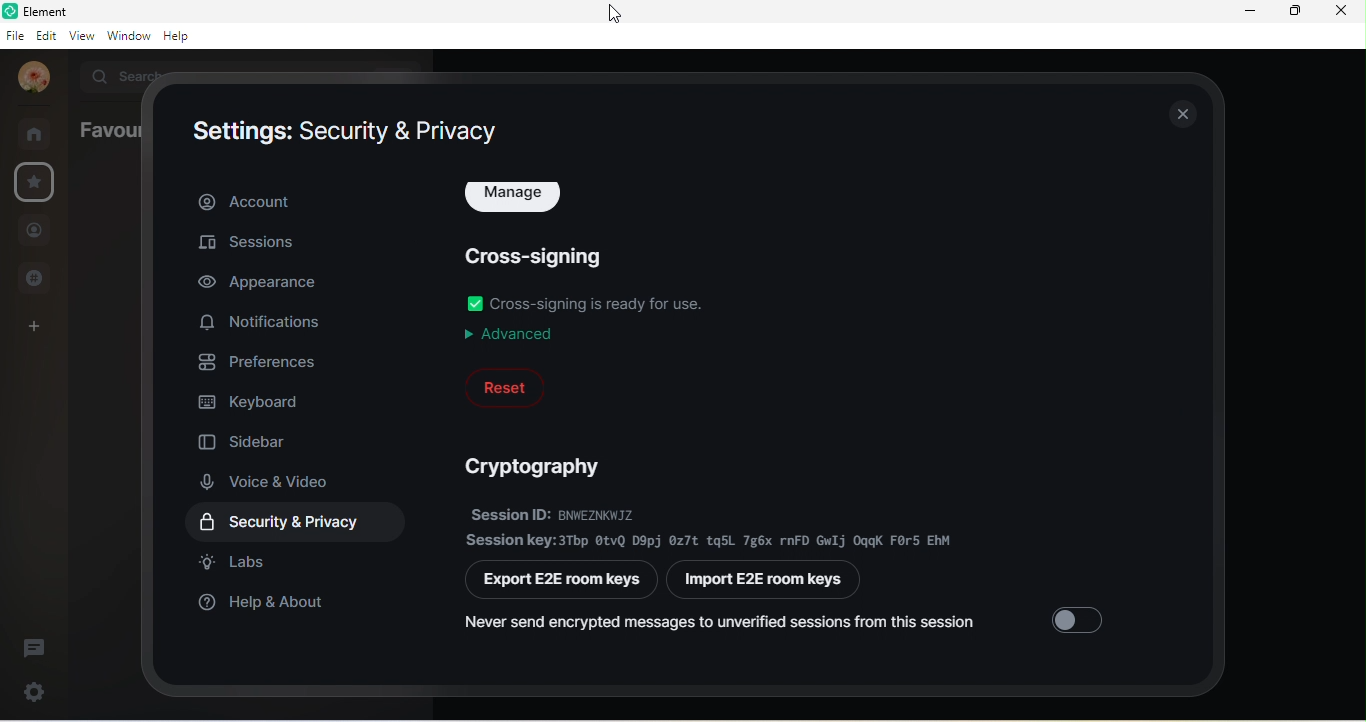  Describe the element at coordinates (266, 323) in the screenshot. I see `notifications` at that location.